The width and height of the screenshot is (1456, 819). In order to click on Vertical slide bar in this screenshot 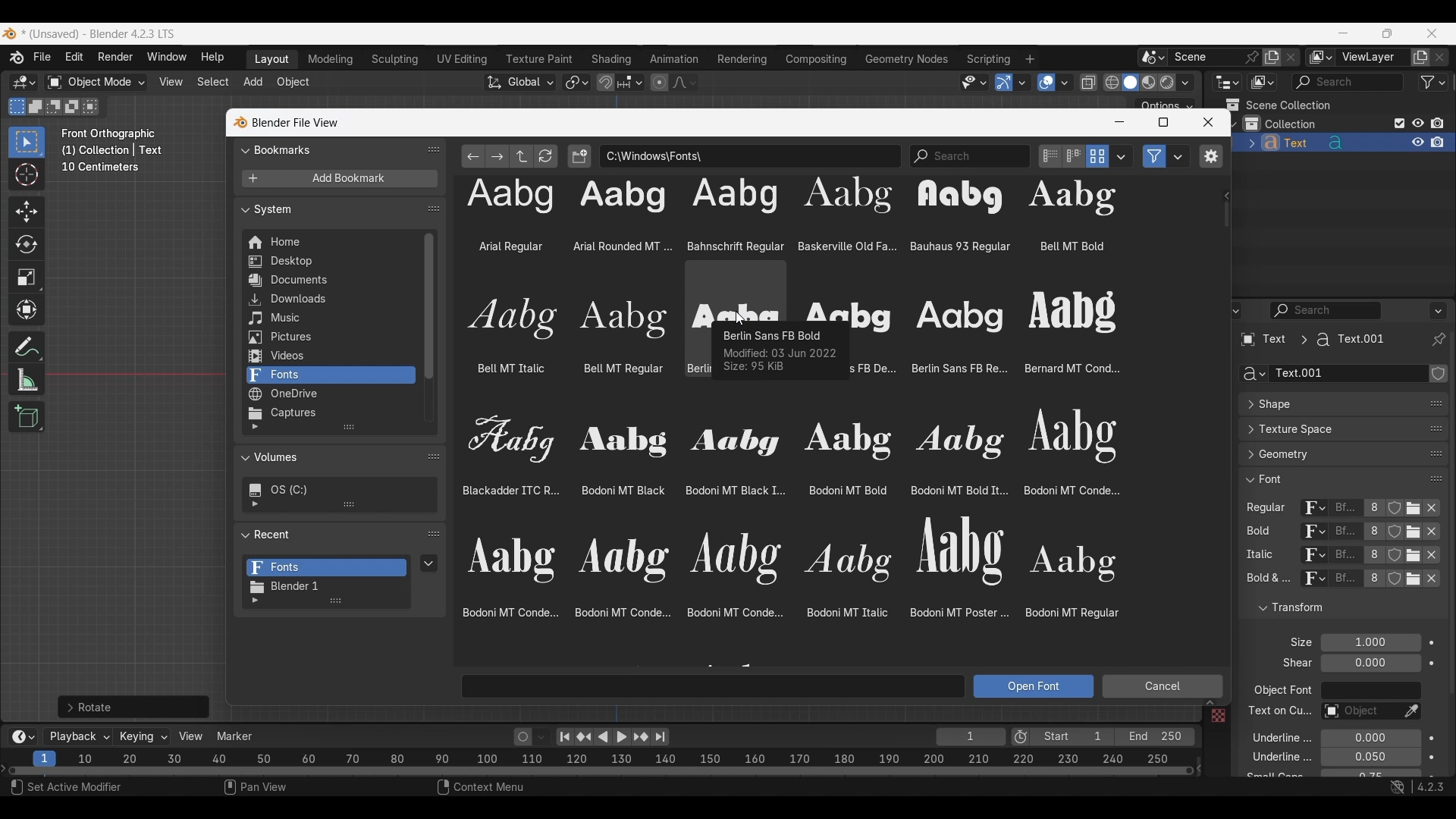, I will do `click(429, 306)`.